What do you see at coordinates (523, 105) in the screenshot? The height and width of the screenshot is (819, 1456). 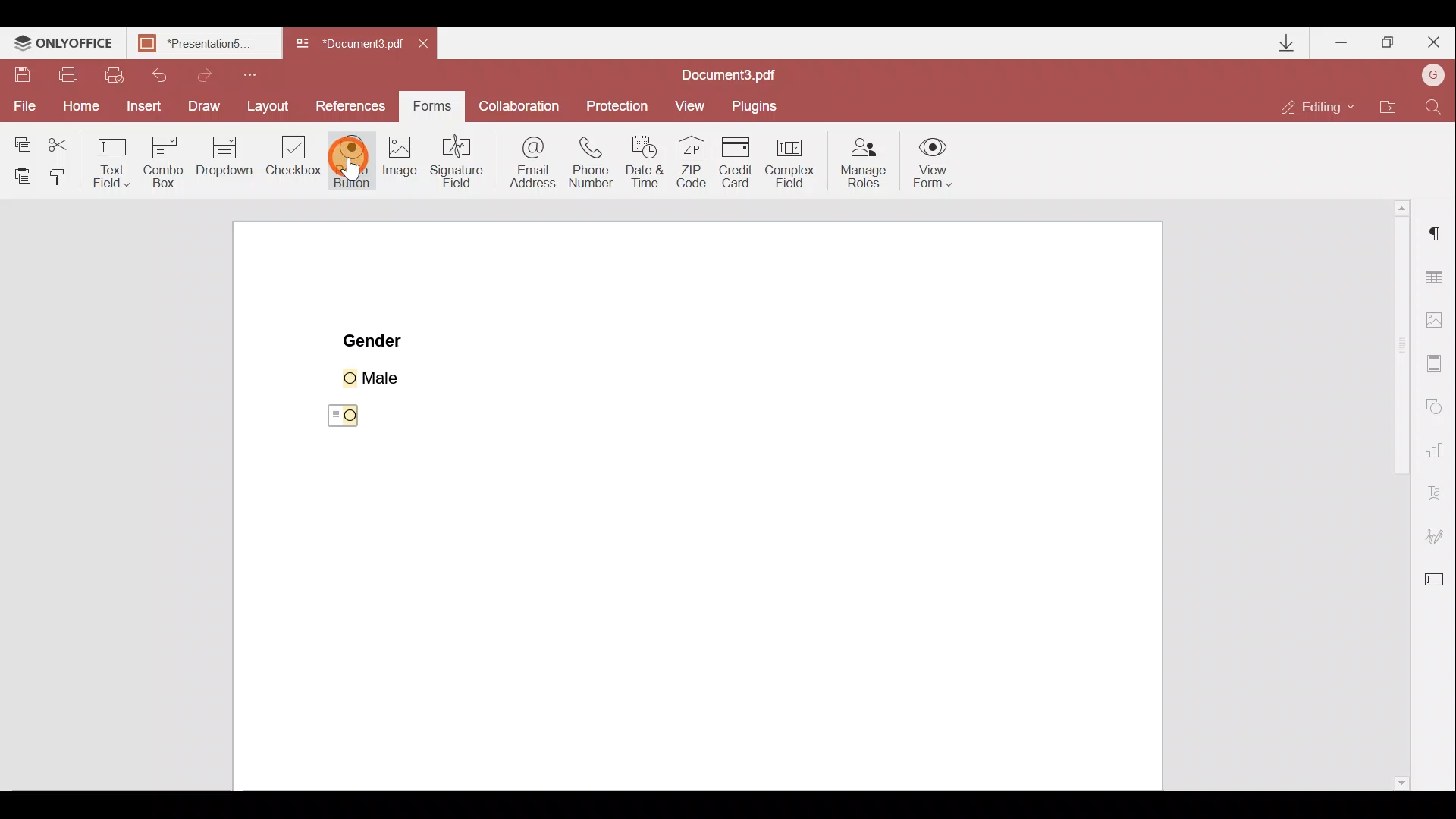 I see `Collaboration` at bounding box center [523, 105].